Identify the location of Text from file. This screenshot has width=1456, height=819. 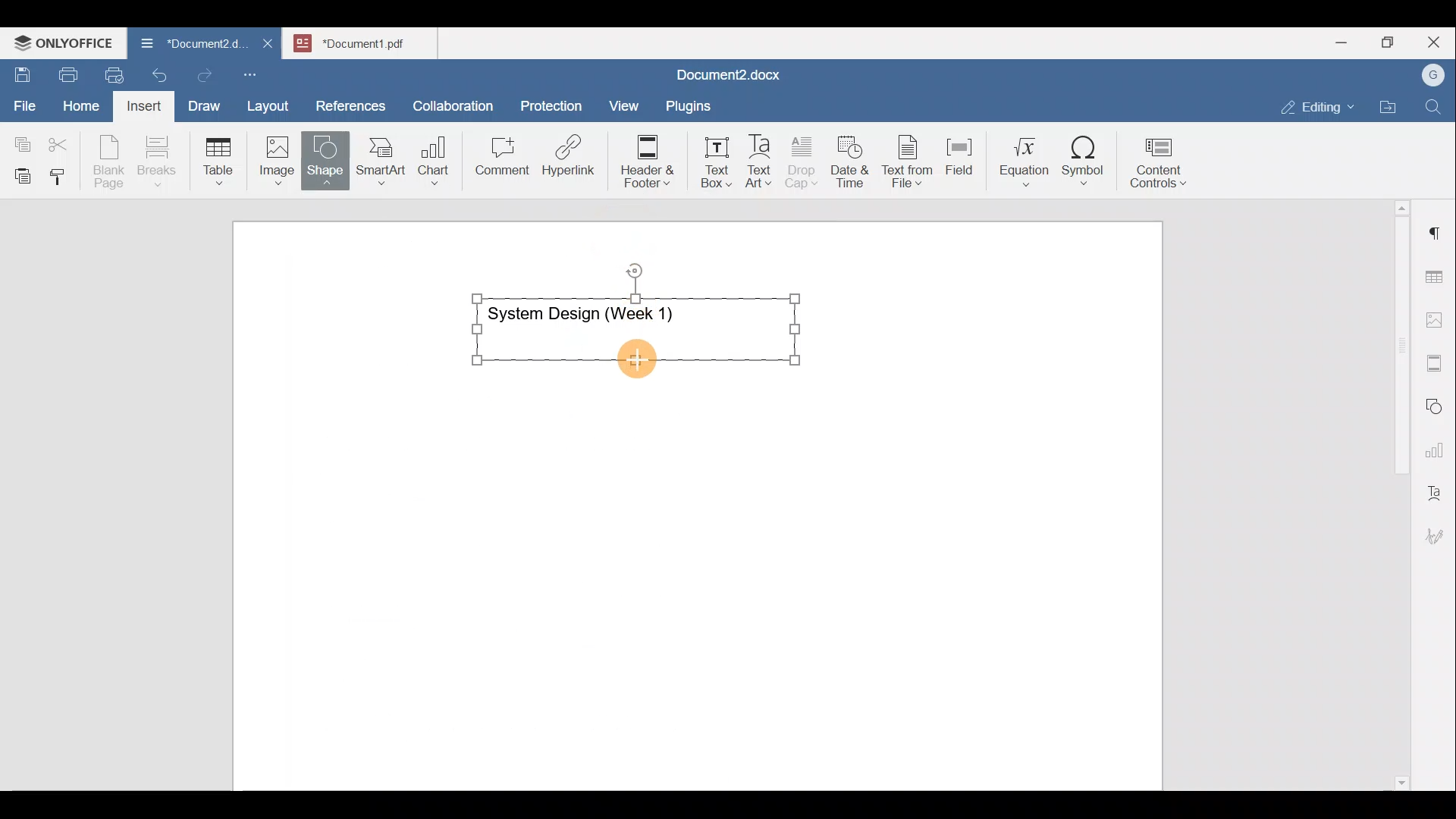
(910, 160).